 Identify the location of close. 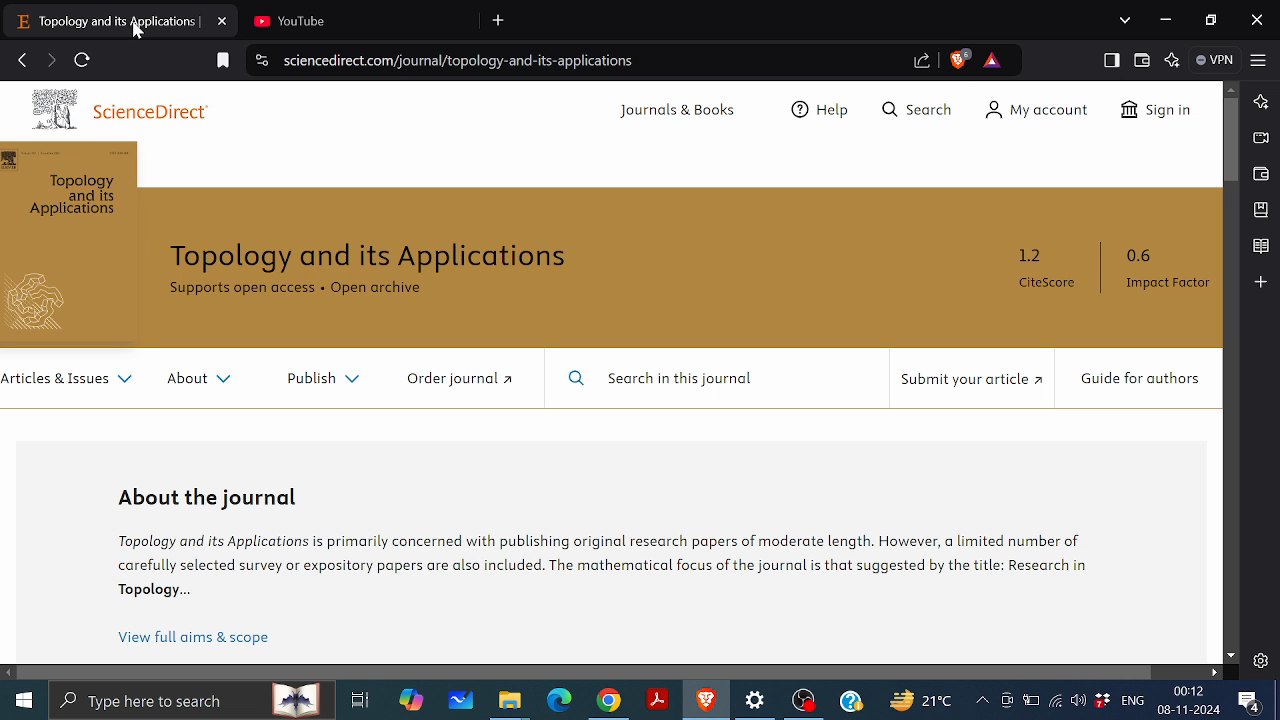
(1257, 22).